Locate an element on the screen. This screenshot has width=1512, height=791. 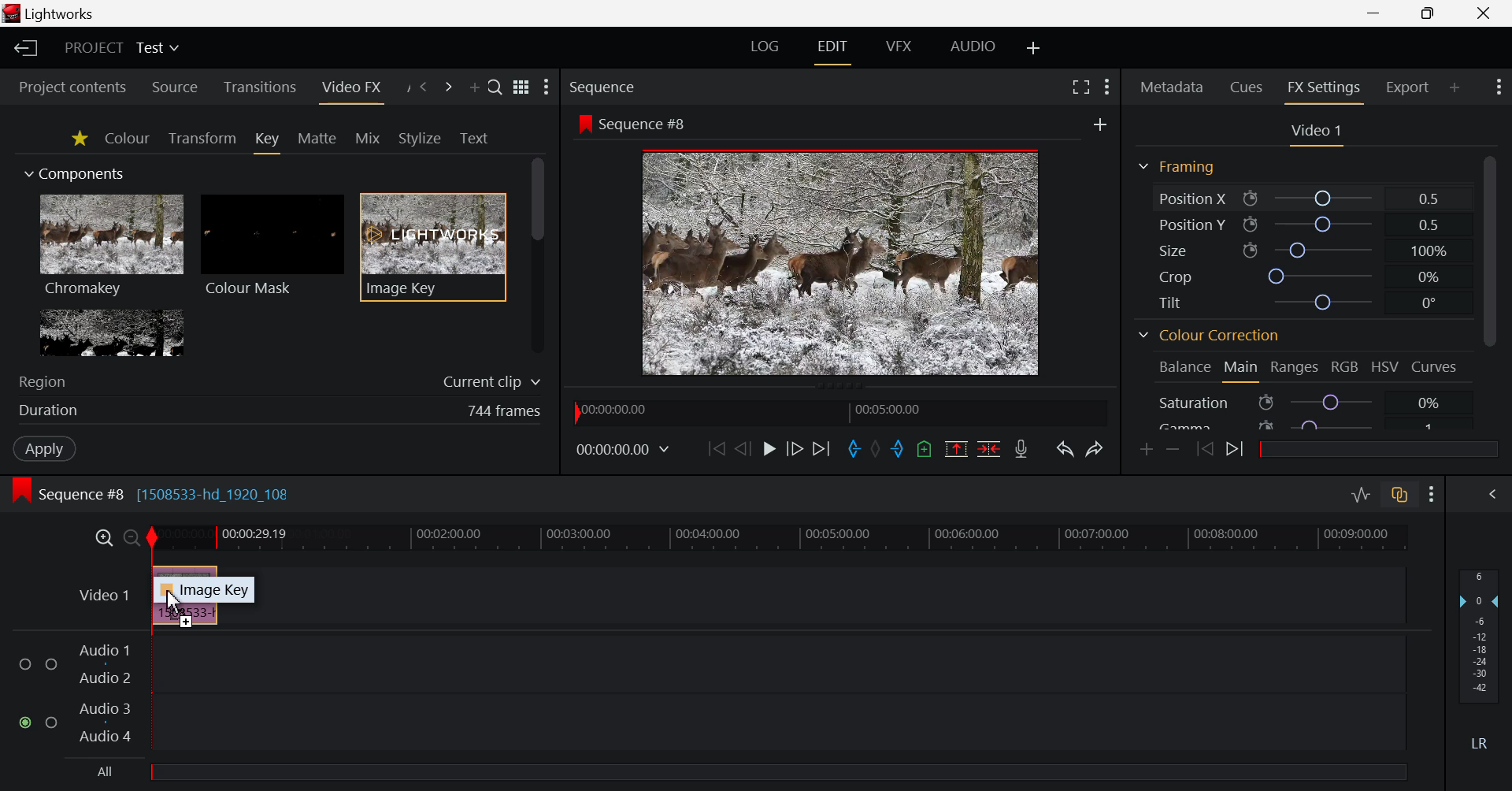
0.5 is located at coordinates (1429, 225).